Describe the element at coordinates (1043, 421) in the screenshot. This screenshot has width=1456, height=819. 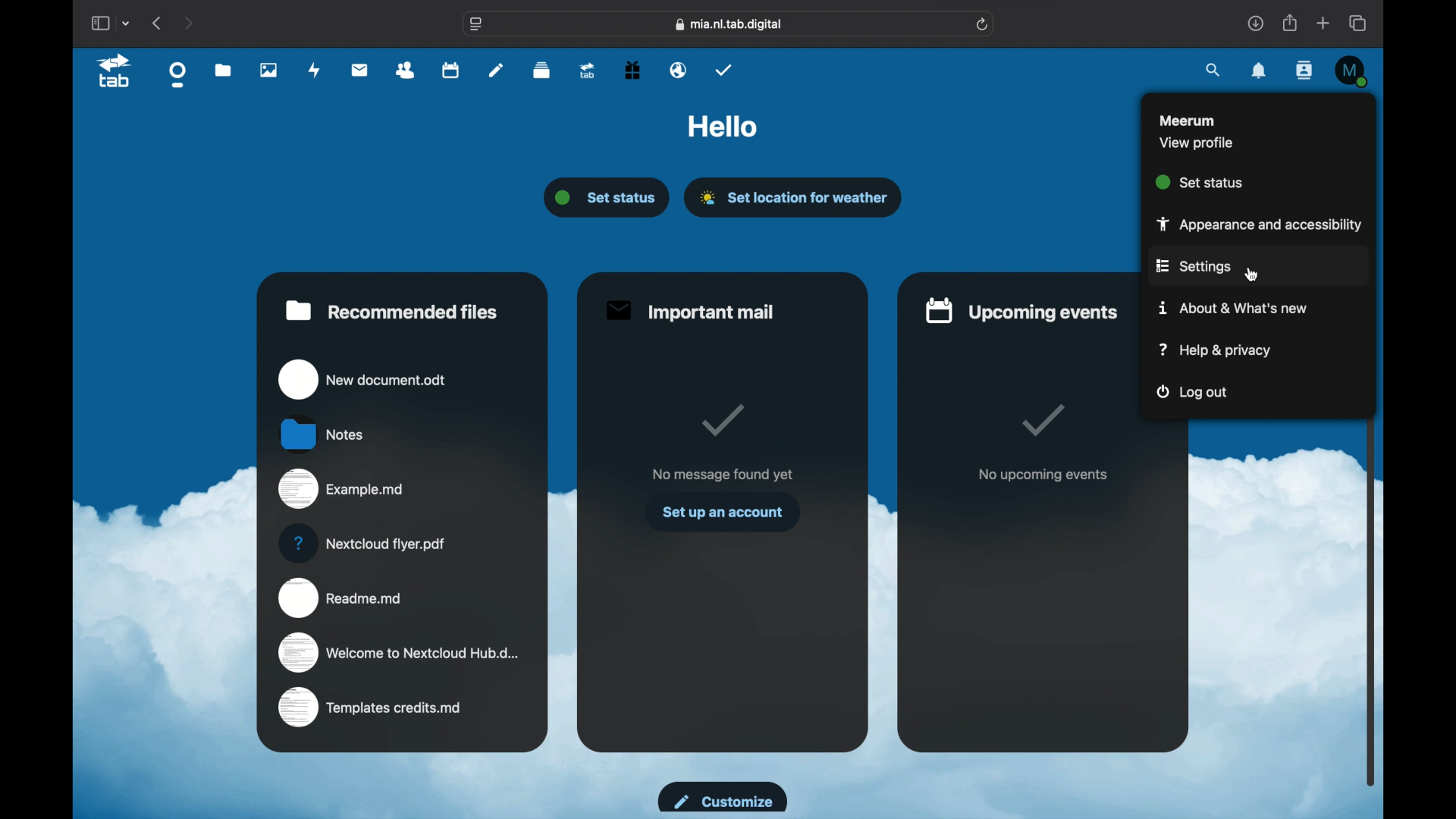
I see `tik mark` at that location.